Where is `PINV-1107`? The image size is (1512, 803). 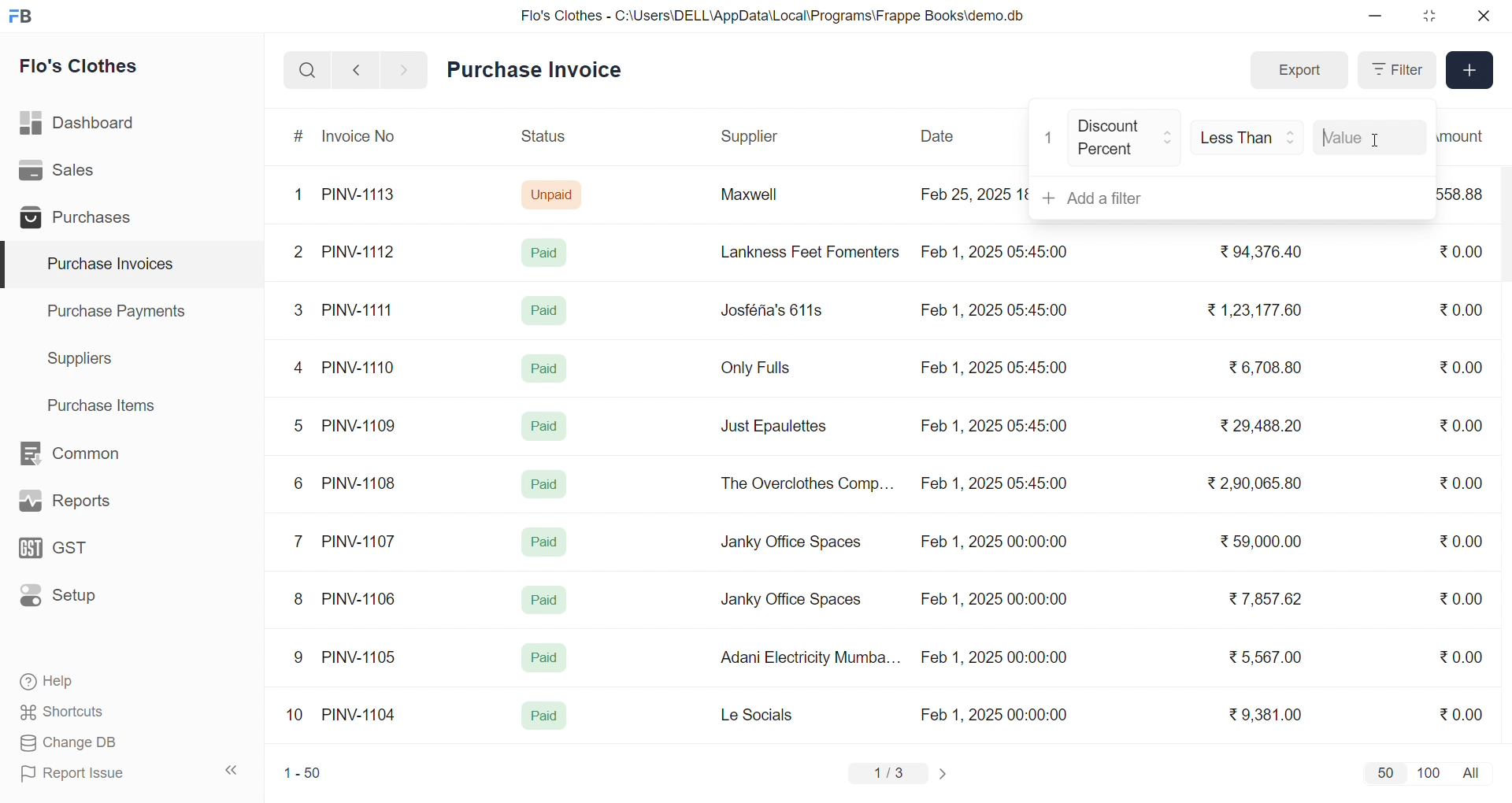
PINV-1107 is located at coordinates (362, 542).